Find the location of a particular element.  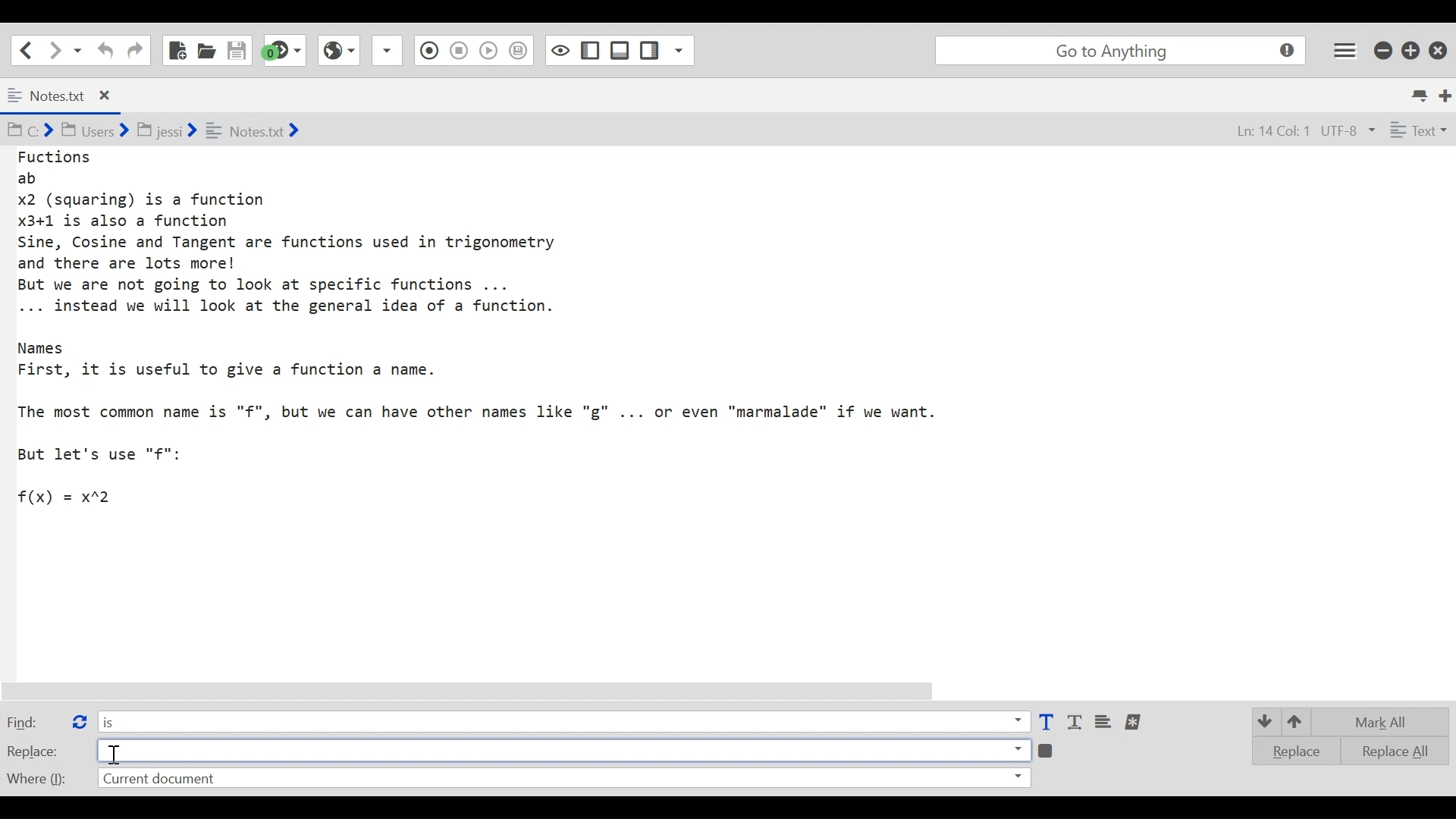

Close is located at coordinates (1440, 47).